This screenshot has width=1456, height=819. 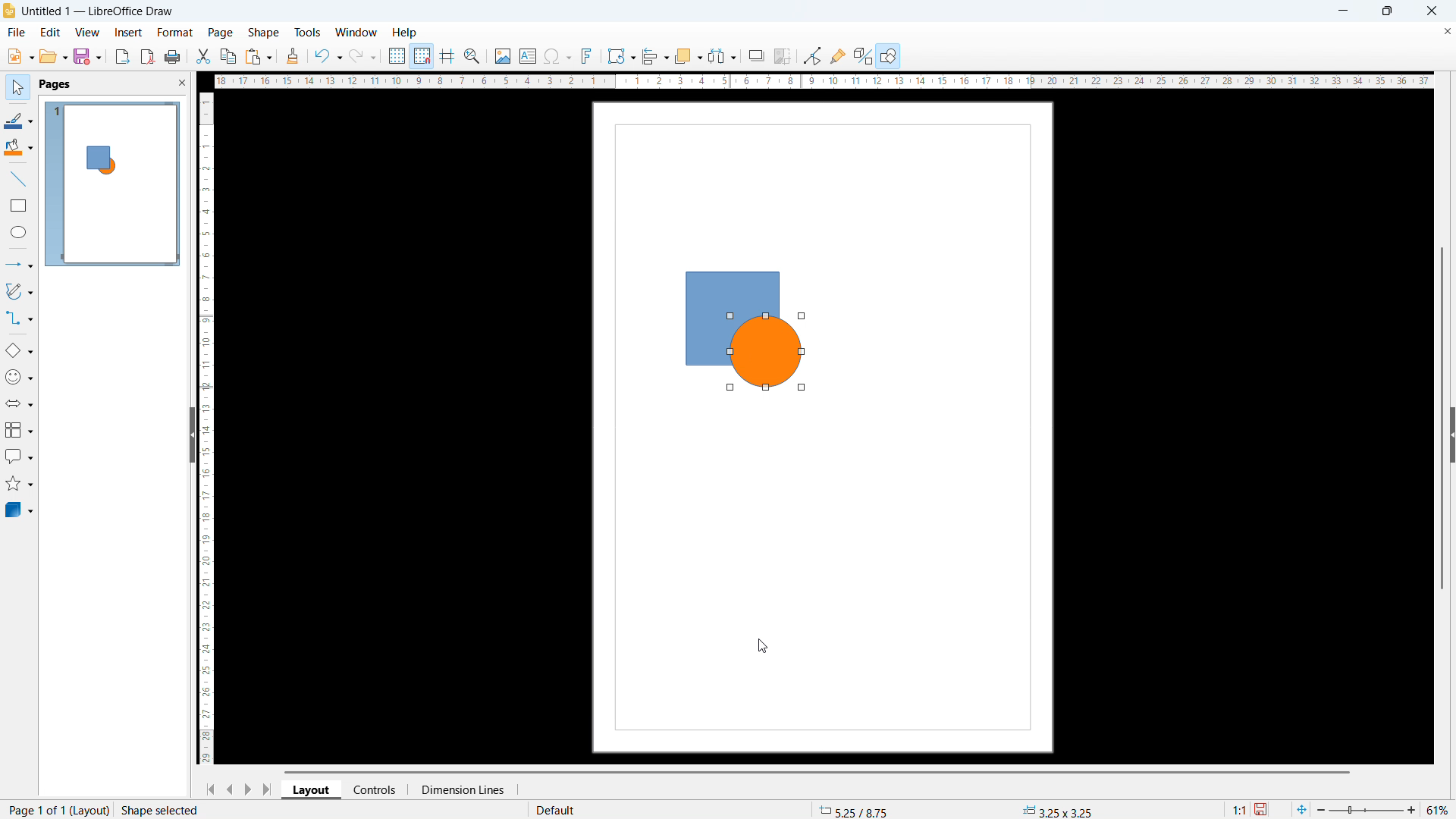 What do you see at coordinates (306, 32) in the screenshot?
I see `Tools ` at bounding box center [306, 32].